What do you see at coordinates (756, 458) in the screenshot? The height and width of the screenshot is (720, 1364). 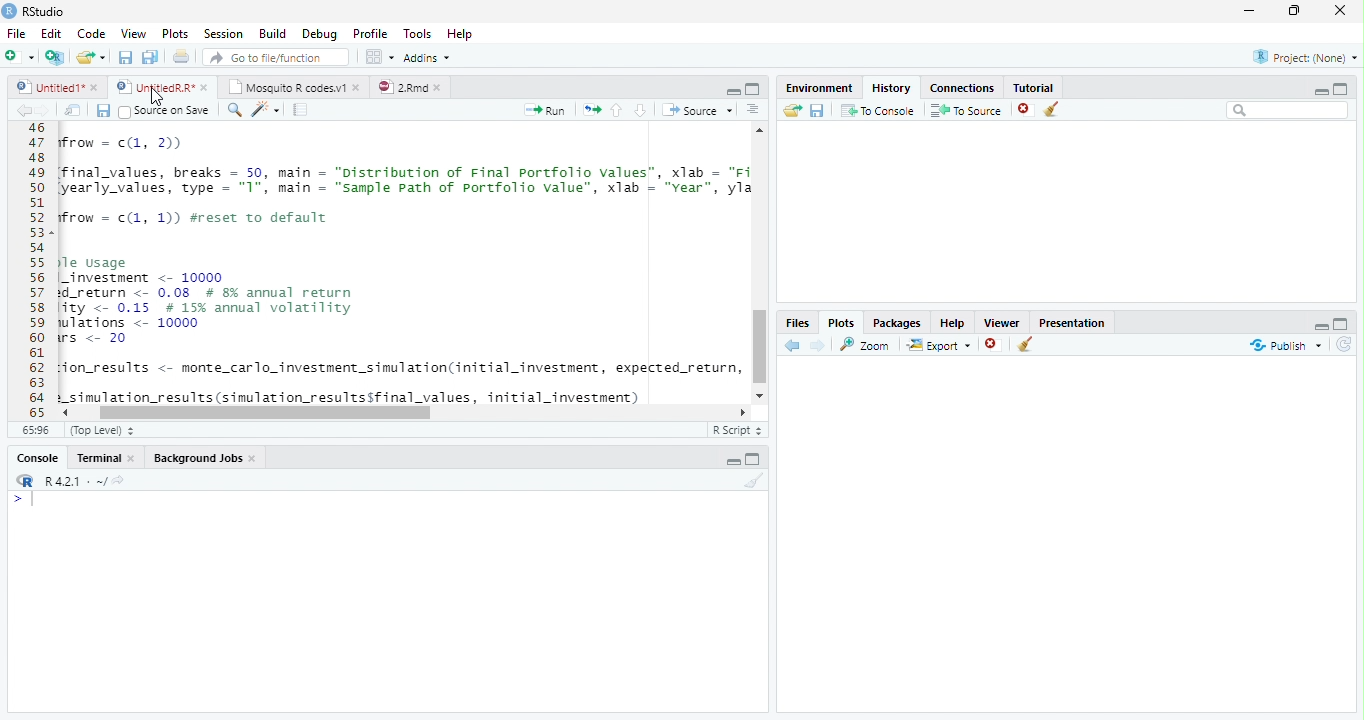 I see `Full Height` at bounding box center [756, 458].